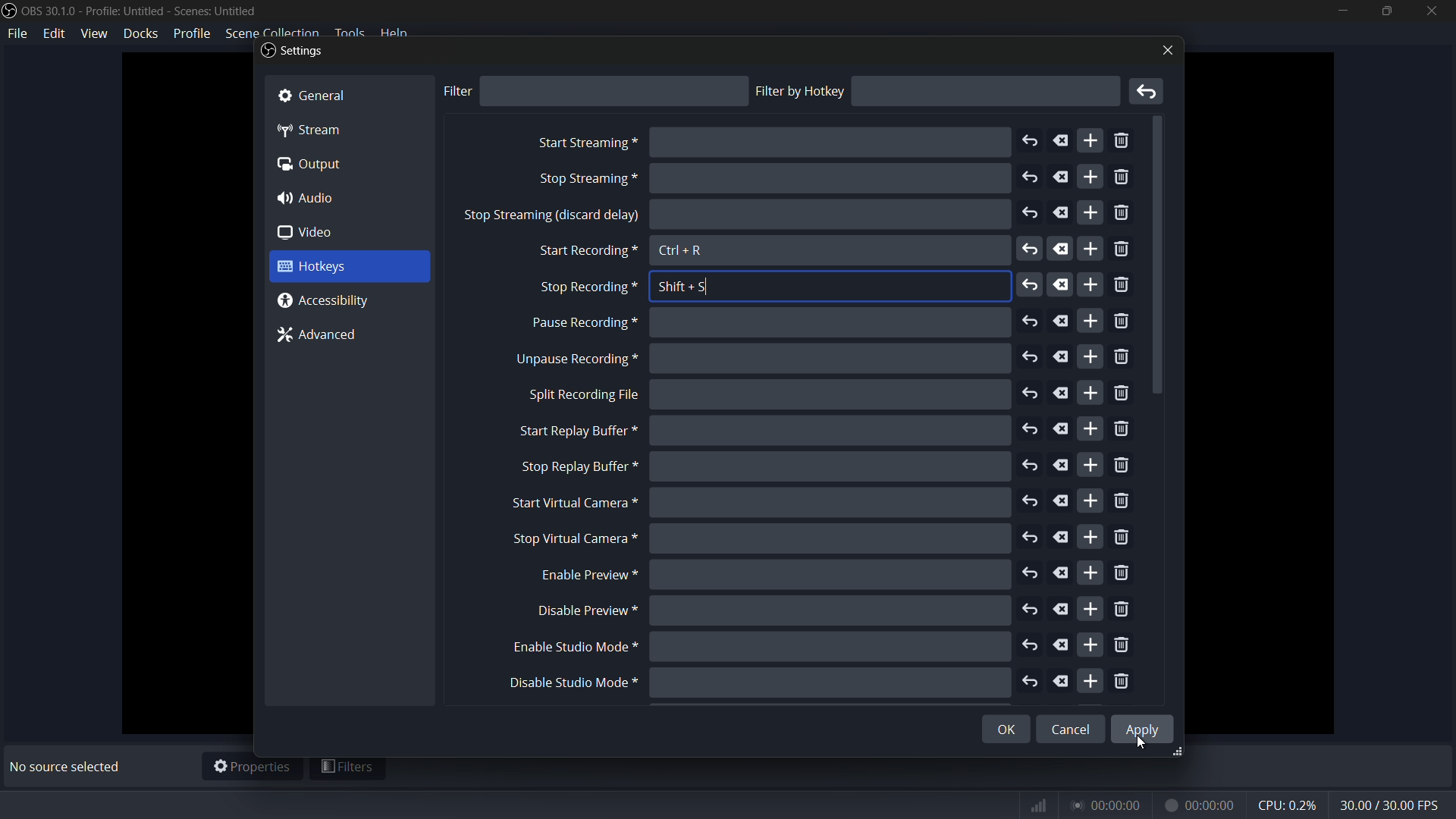 The height and width of the screenshot is (819, 1456). Describe the element at coordinates (292, 52) in the screenshot. I see `Settings` at that location.